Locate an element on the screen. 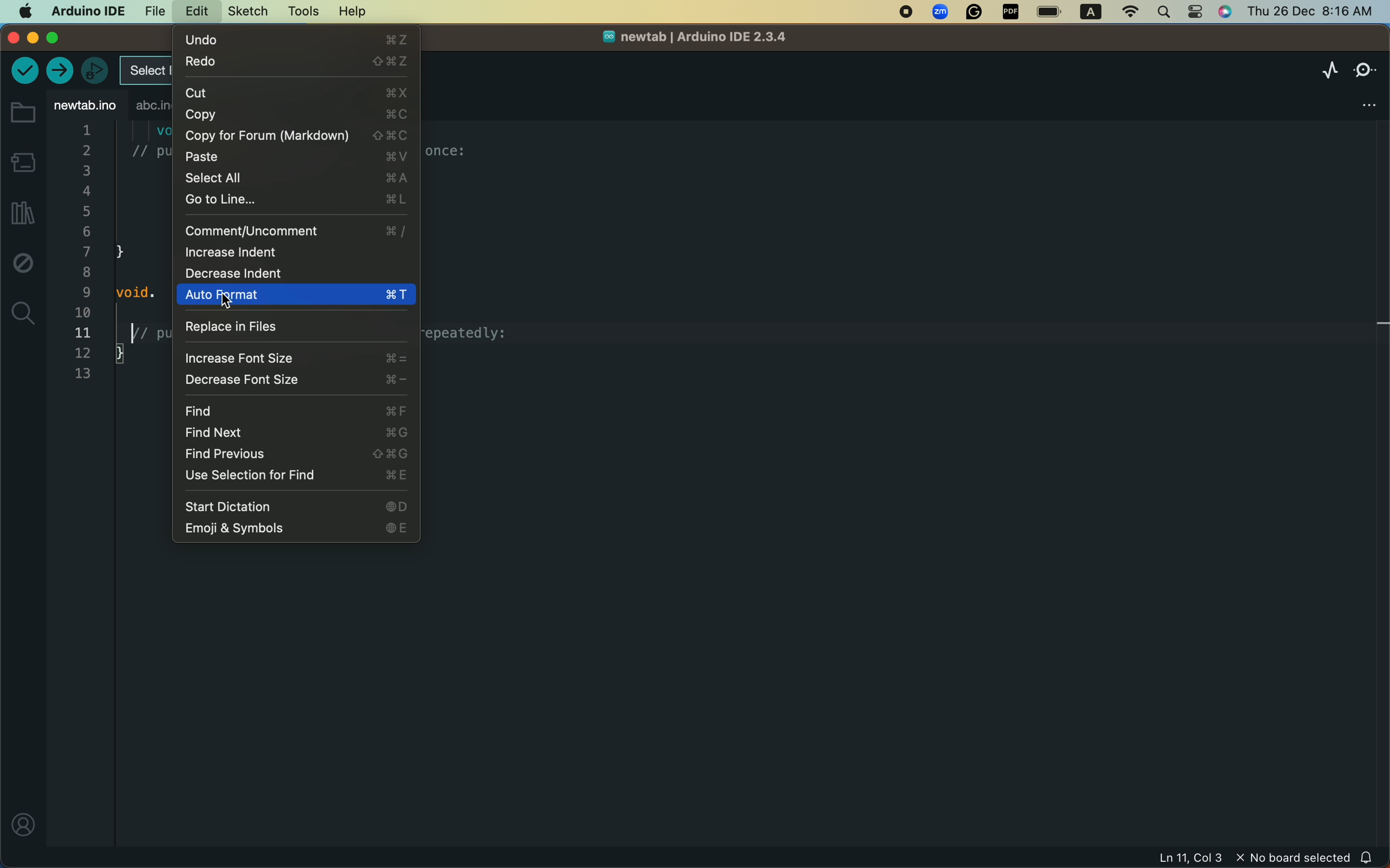 Image resolution: width=1390 pixels, height=868 pixels. file information is located at coordinates (1206, 859).